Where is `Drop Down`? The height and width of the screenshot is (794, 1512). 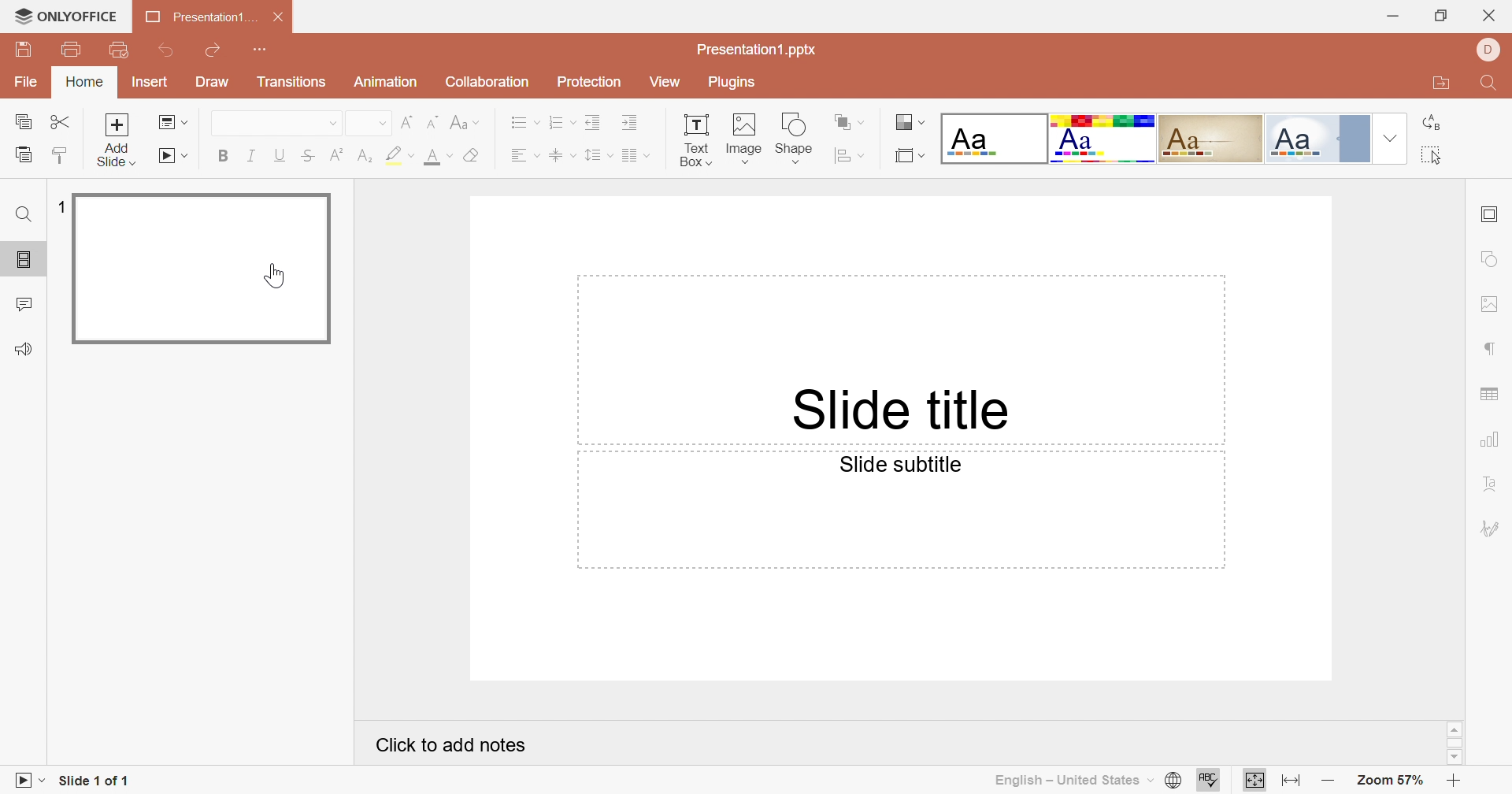
Drop Down is located at coordinates (187, 122).